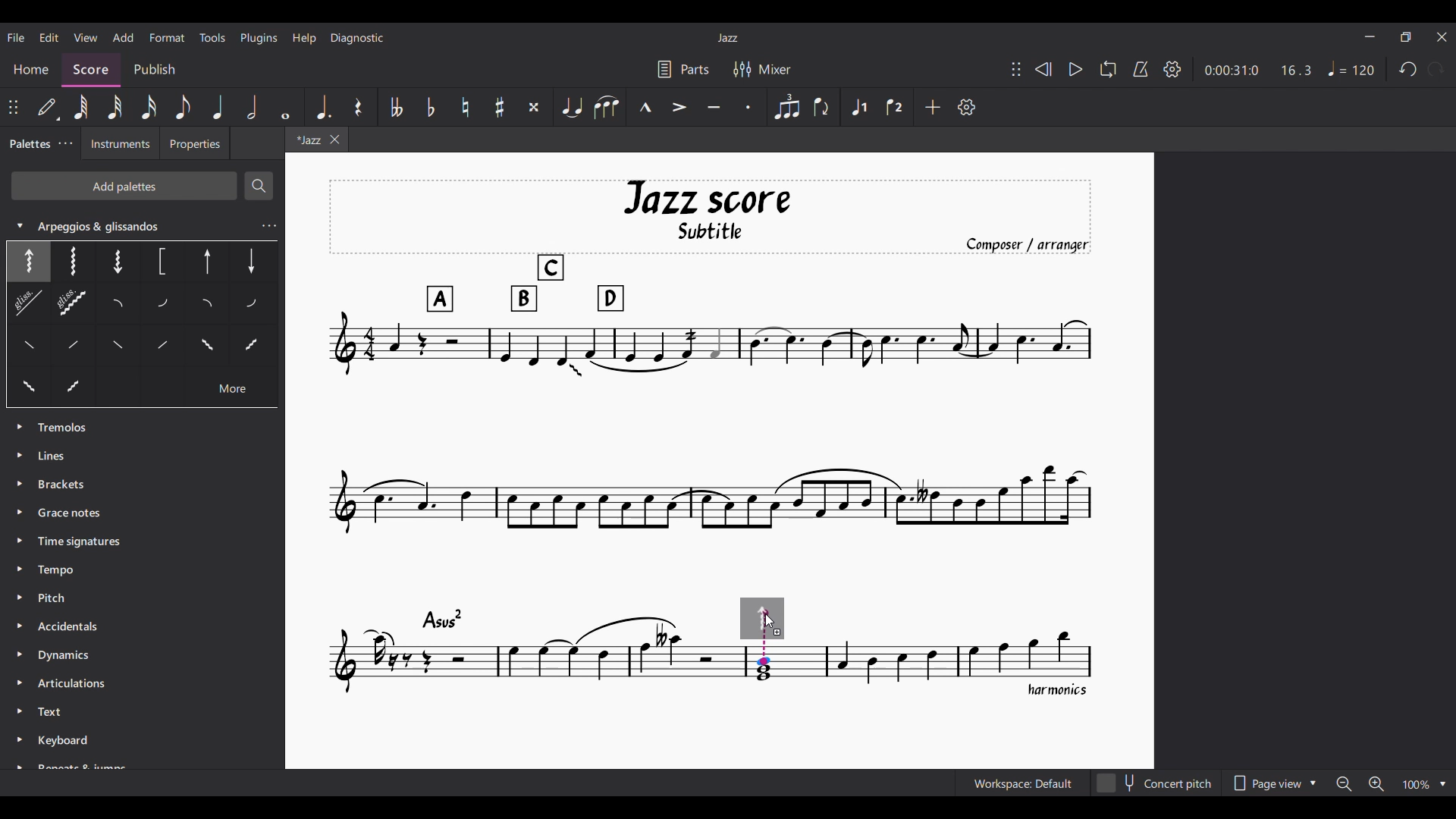 This screenshot has width=1456, height=819. What do you see at coordinates (895, 106) in the screenshot?
I see `Voice 2` at bounding box center [895, 106].